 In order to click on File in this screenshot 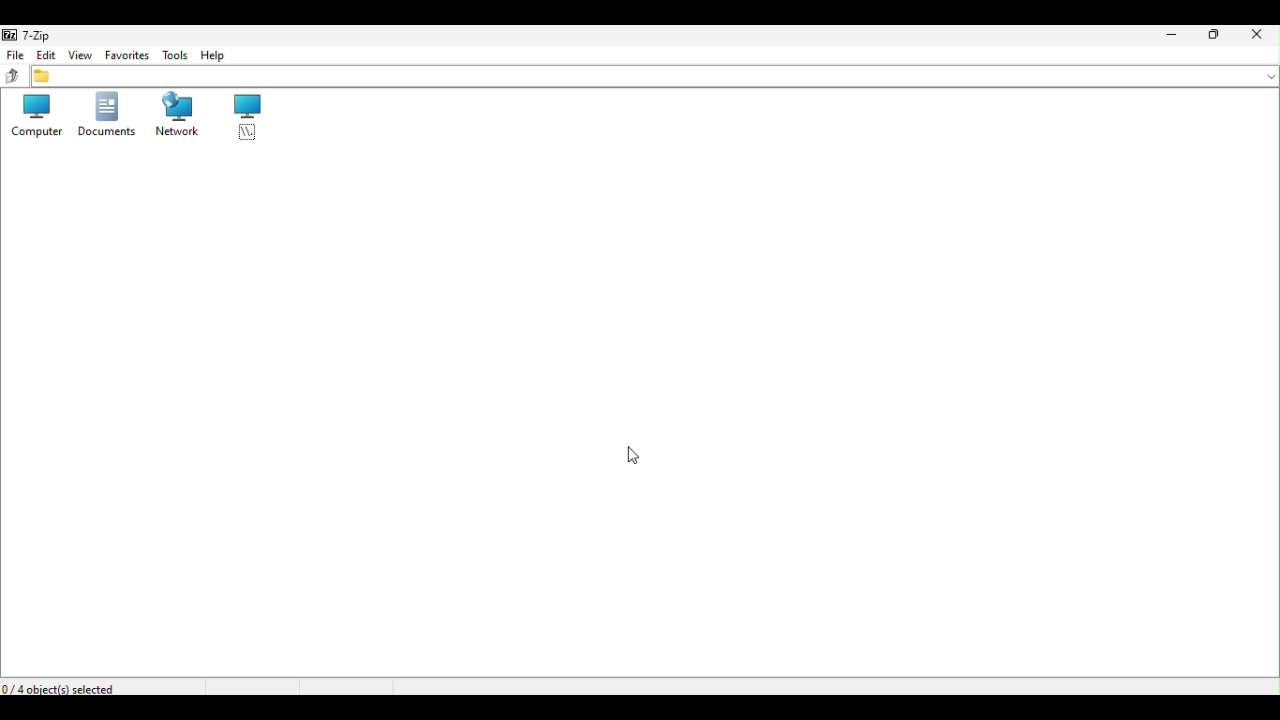, I will do `click(17, 56)`.